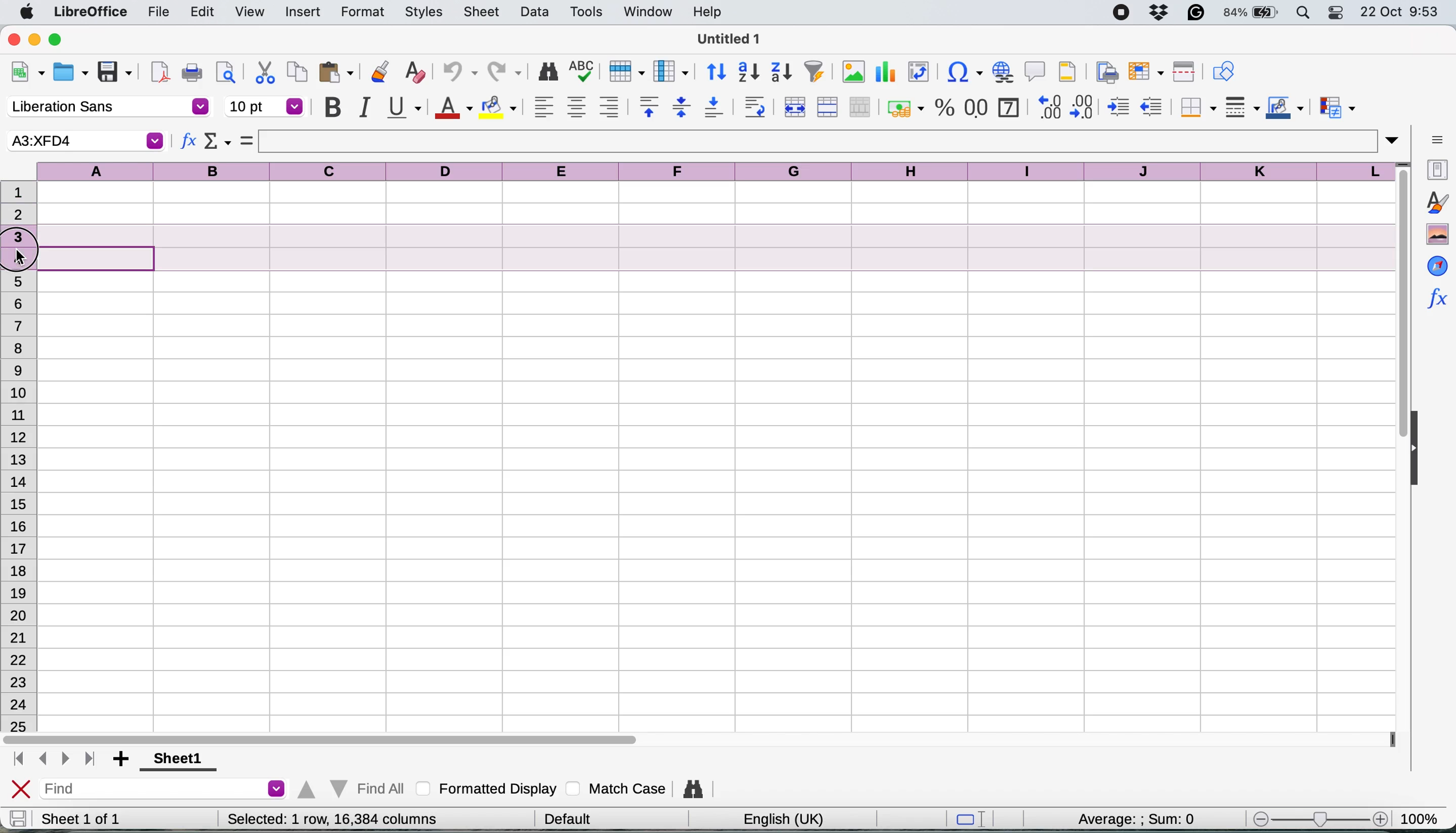 This screenshot has height=833, width=1456. Describe the element at coordinates (1398, 13) in the screenshot. I see `22 oct 9:53` at that location.